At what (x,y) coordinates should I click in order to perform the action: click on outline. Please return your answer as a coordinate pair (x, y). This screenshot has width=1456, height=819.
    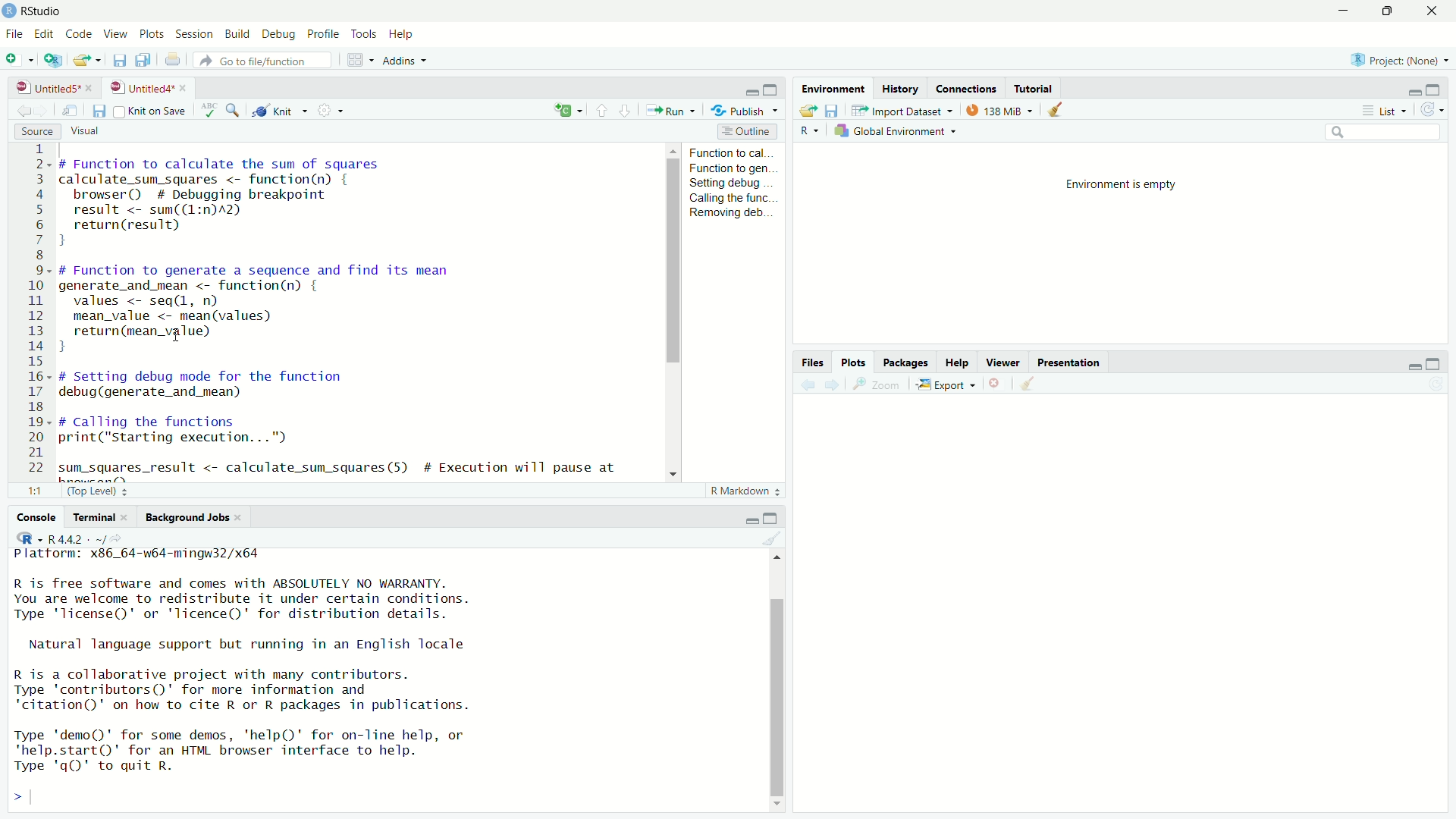
    Looking at the image, I should click on (749, 130).